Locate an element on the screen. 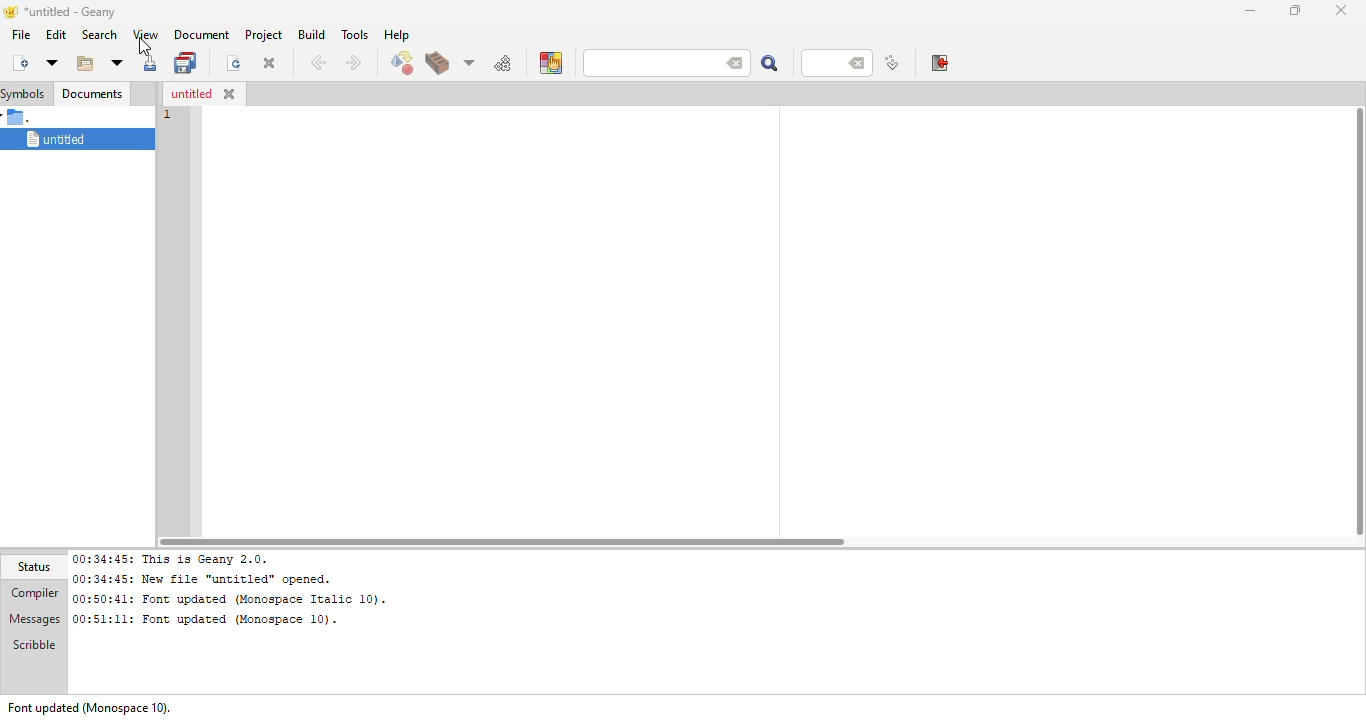 This screenshot has width=1366, height=720. back is located at coordinates (317, 63).